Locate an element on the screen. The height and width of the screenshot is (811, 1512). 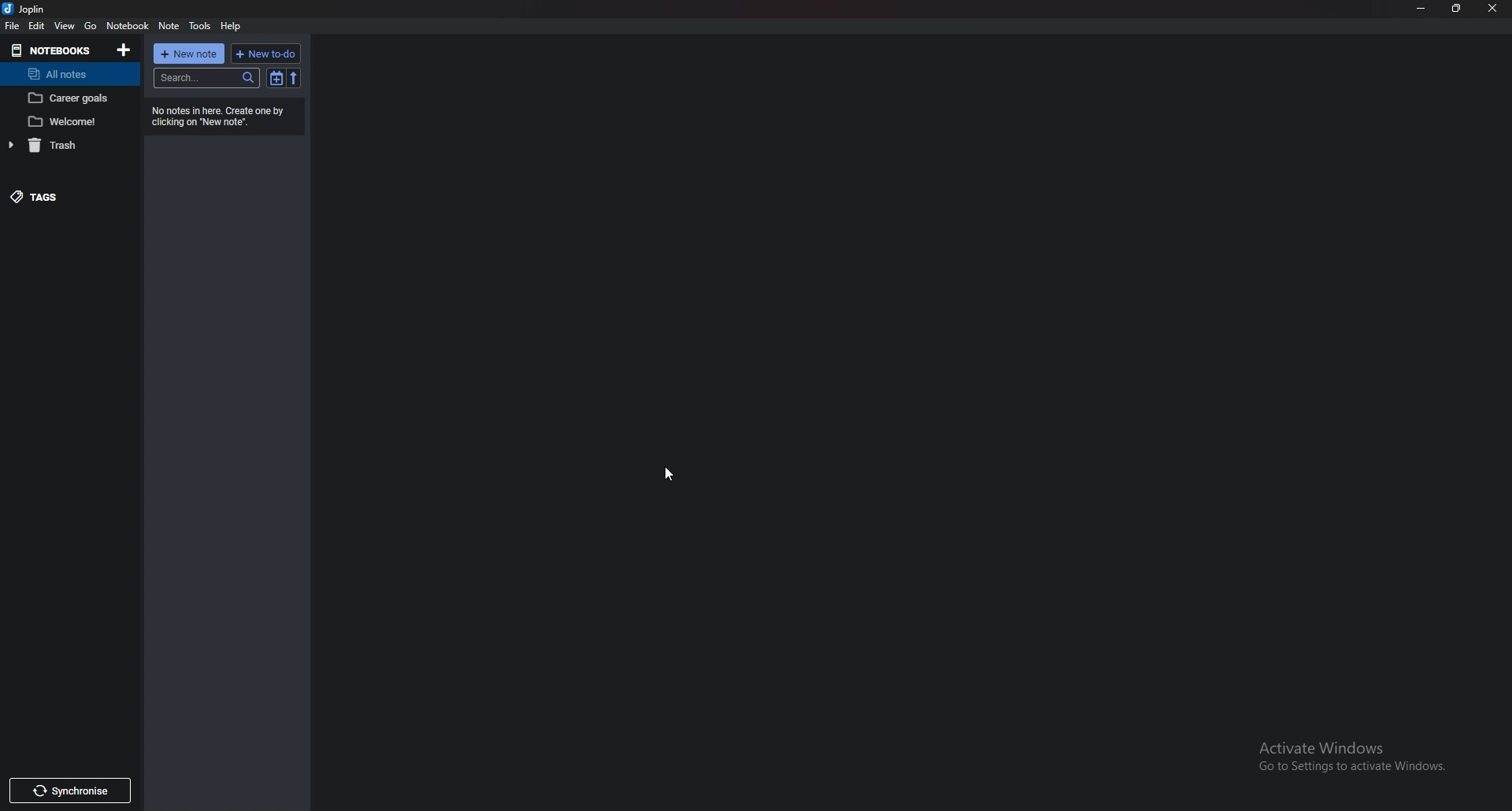
note is located at coordinates (168, 27).